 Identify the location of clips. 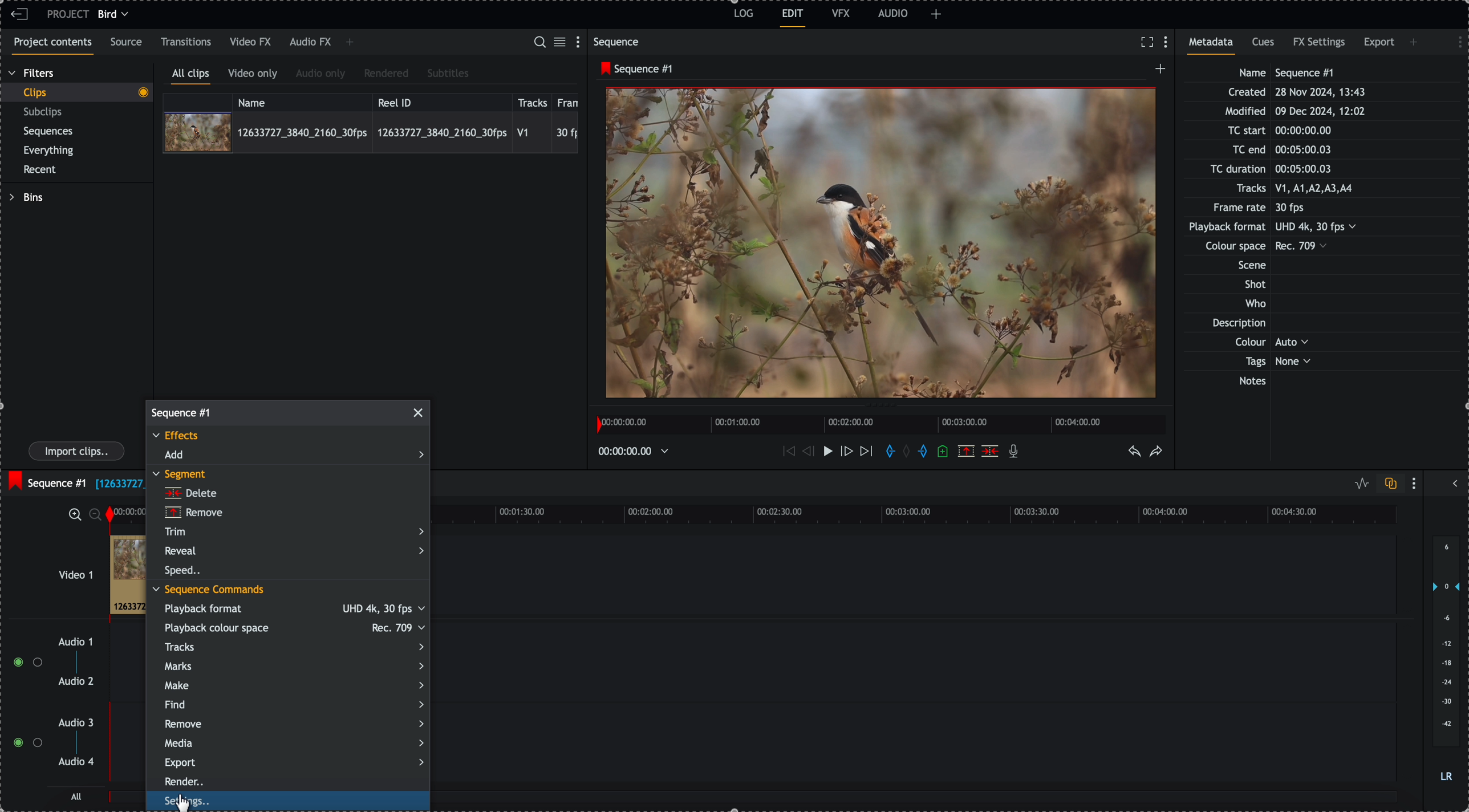
(76, 93).